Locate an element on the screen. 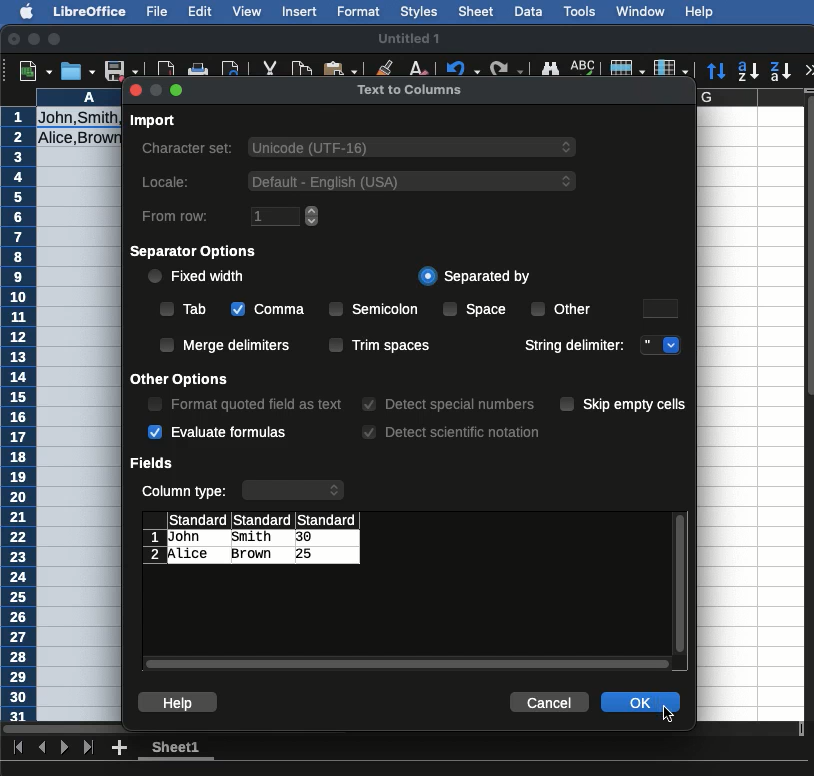 This screenshot has width=814, height=776. Window is located at coordinates (644, 12).